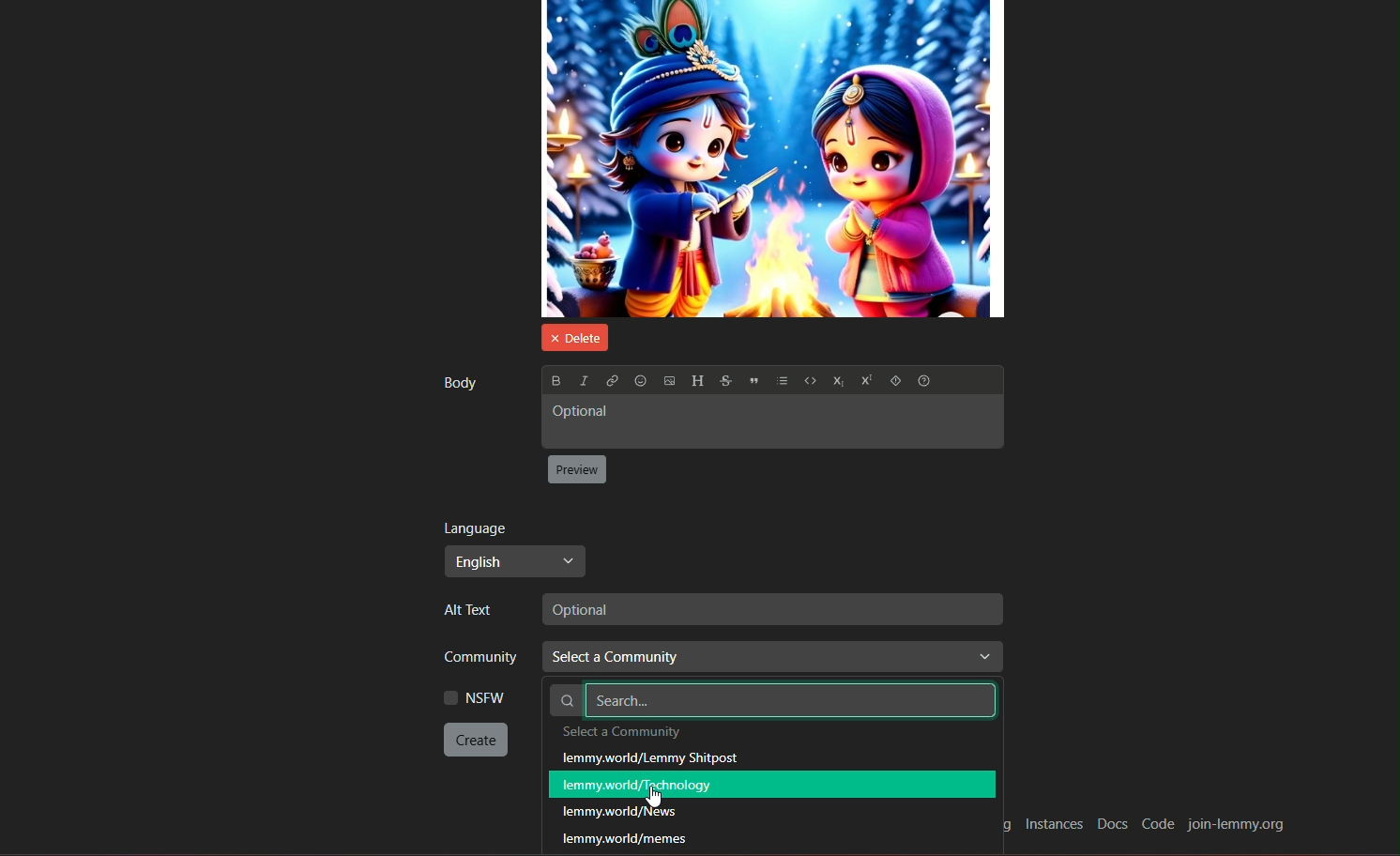  Describe the element at coordinates (476, 527) in the screenshot. I see `language` at that location.